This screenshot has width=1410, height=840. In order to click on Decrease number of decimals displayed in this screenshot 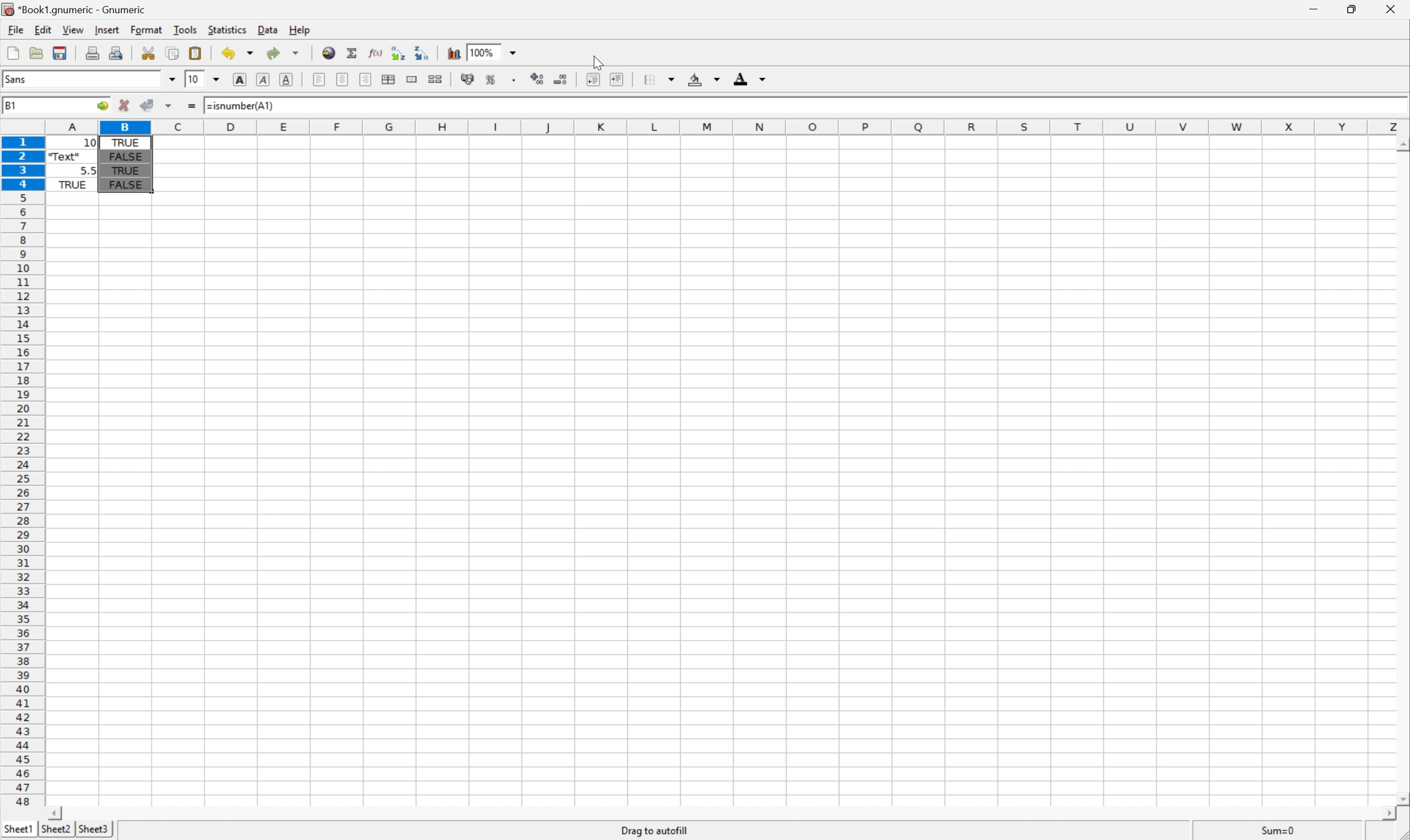, I will do `click(562, 80)`.